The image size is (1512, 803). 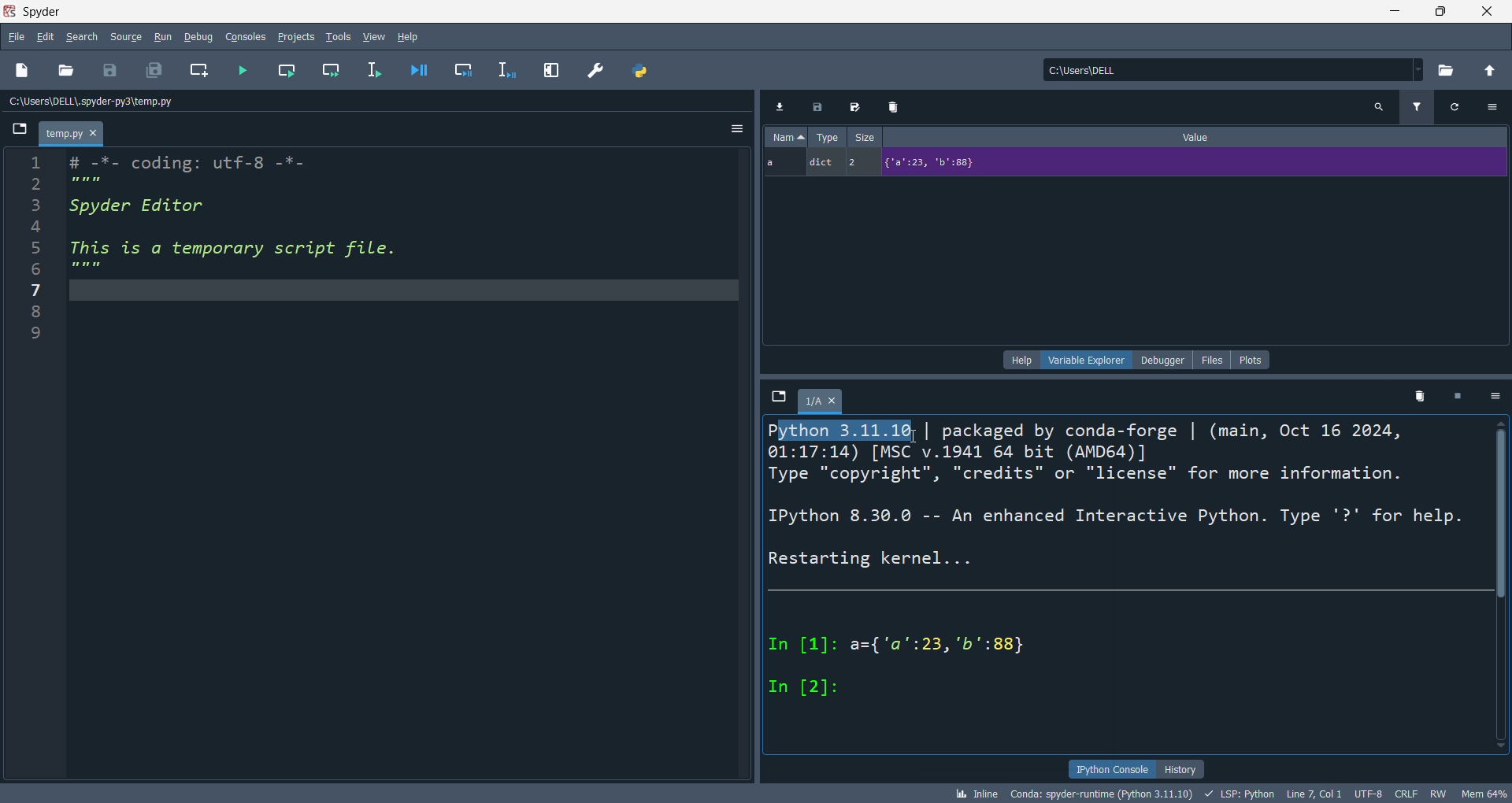 I want to click on save, so click(x=112, y=71).